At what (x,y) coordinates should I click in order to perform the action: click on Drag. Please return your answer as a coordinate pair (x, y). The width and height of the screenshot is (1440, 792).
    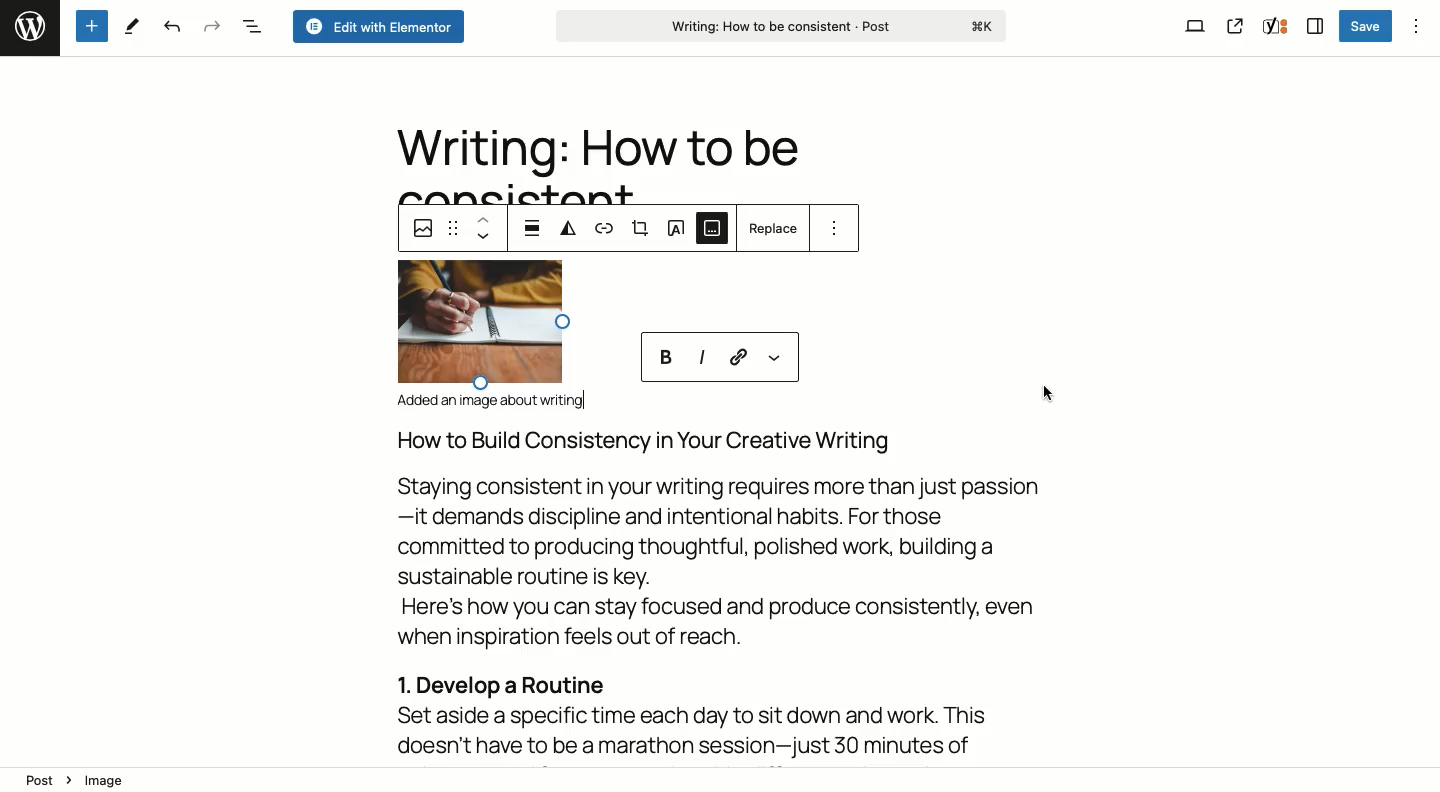
    Looking at the image, I should click on (454, 228).